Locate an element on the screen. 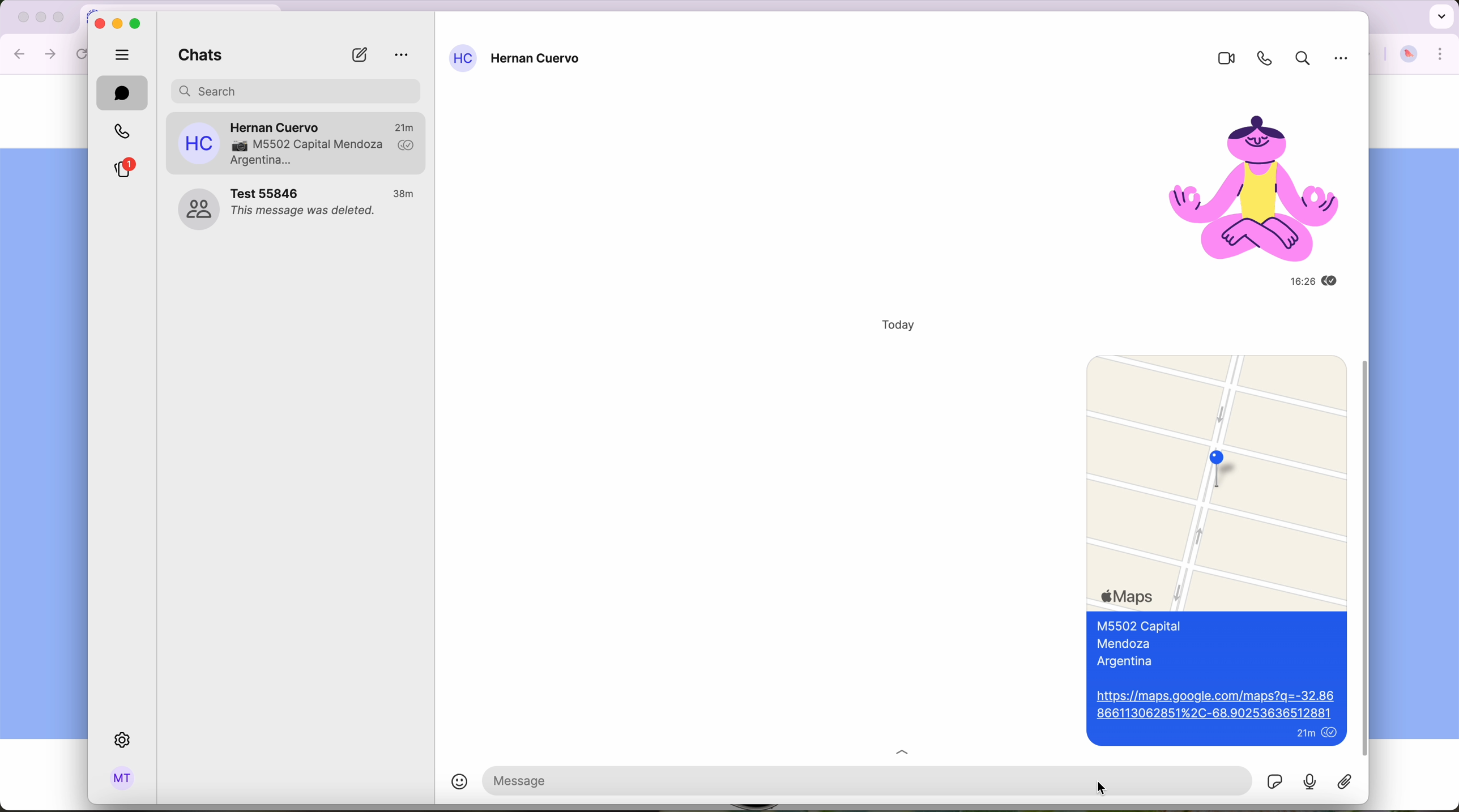 This screenshot has width=1459, height=812. search tabs is located at coordinates (1440, 15).